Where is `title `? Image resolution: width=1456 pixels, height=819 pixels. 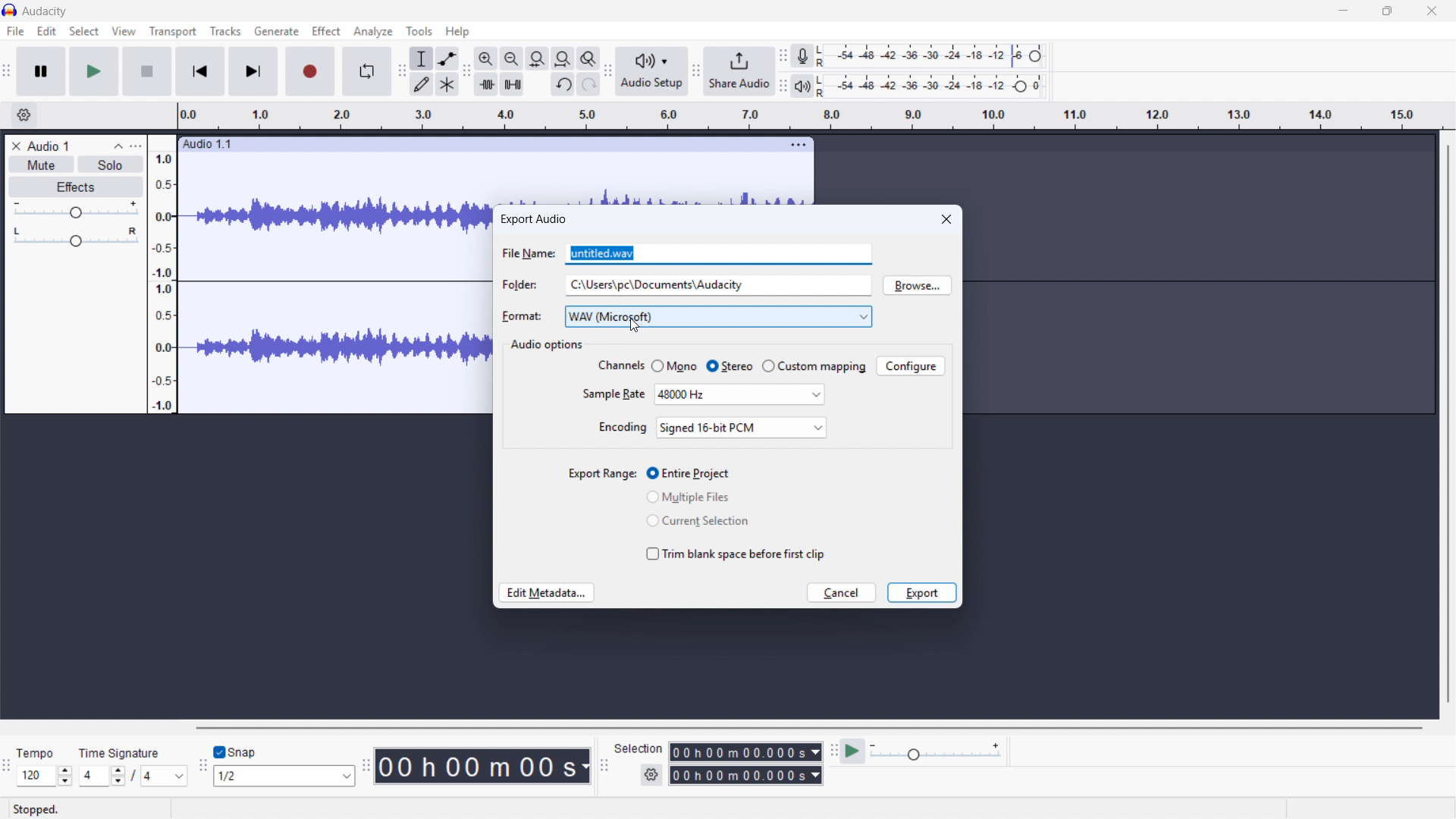
title  is located at coordinates (45, 12).